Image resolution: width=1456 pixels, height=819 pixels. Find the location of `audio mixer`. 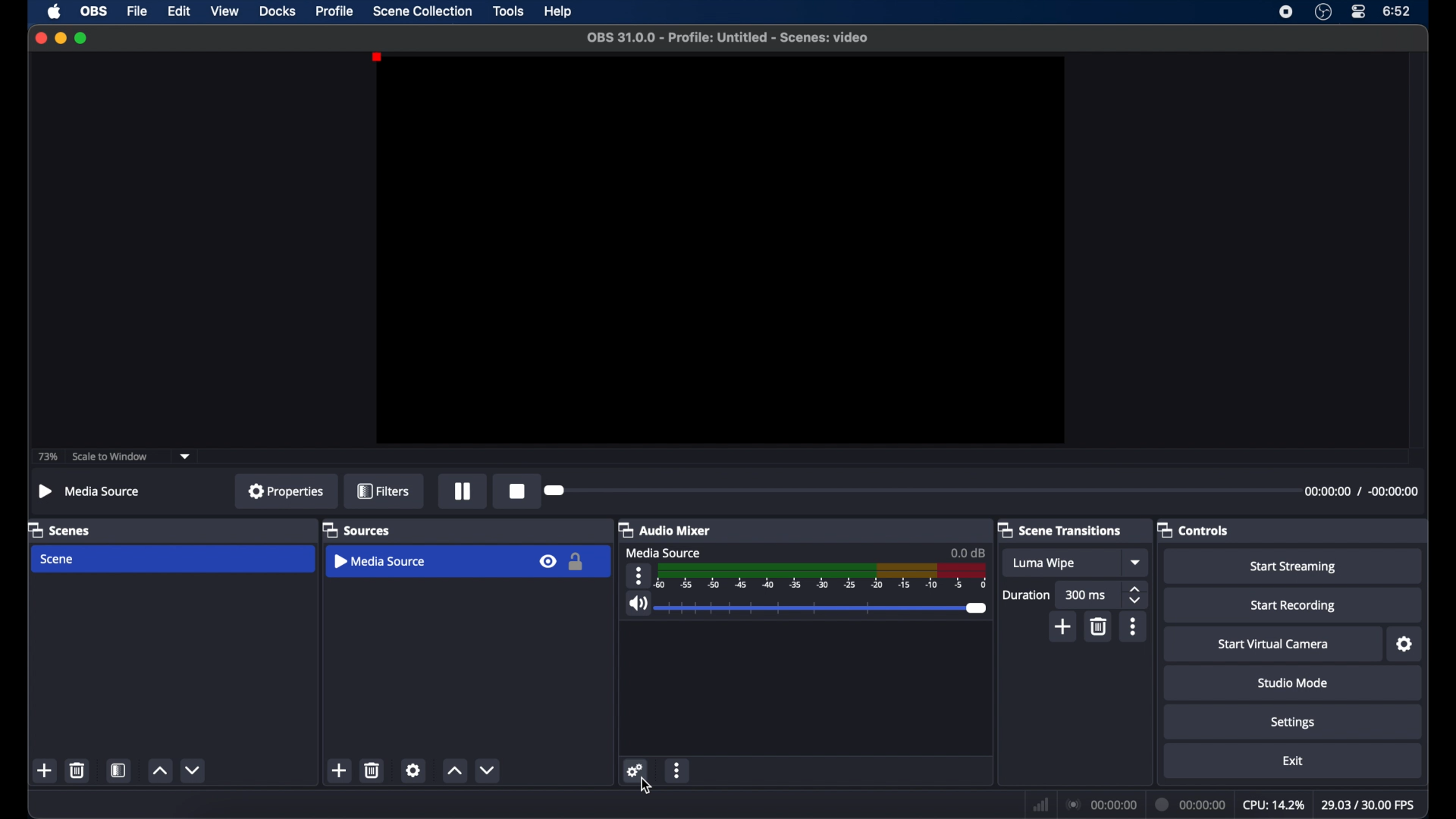

audio mixer is located at coordinates (667, 529).